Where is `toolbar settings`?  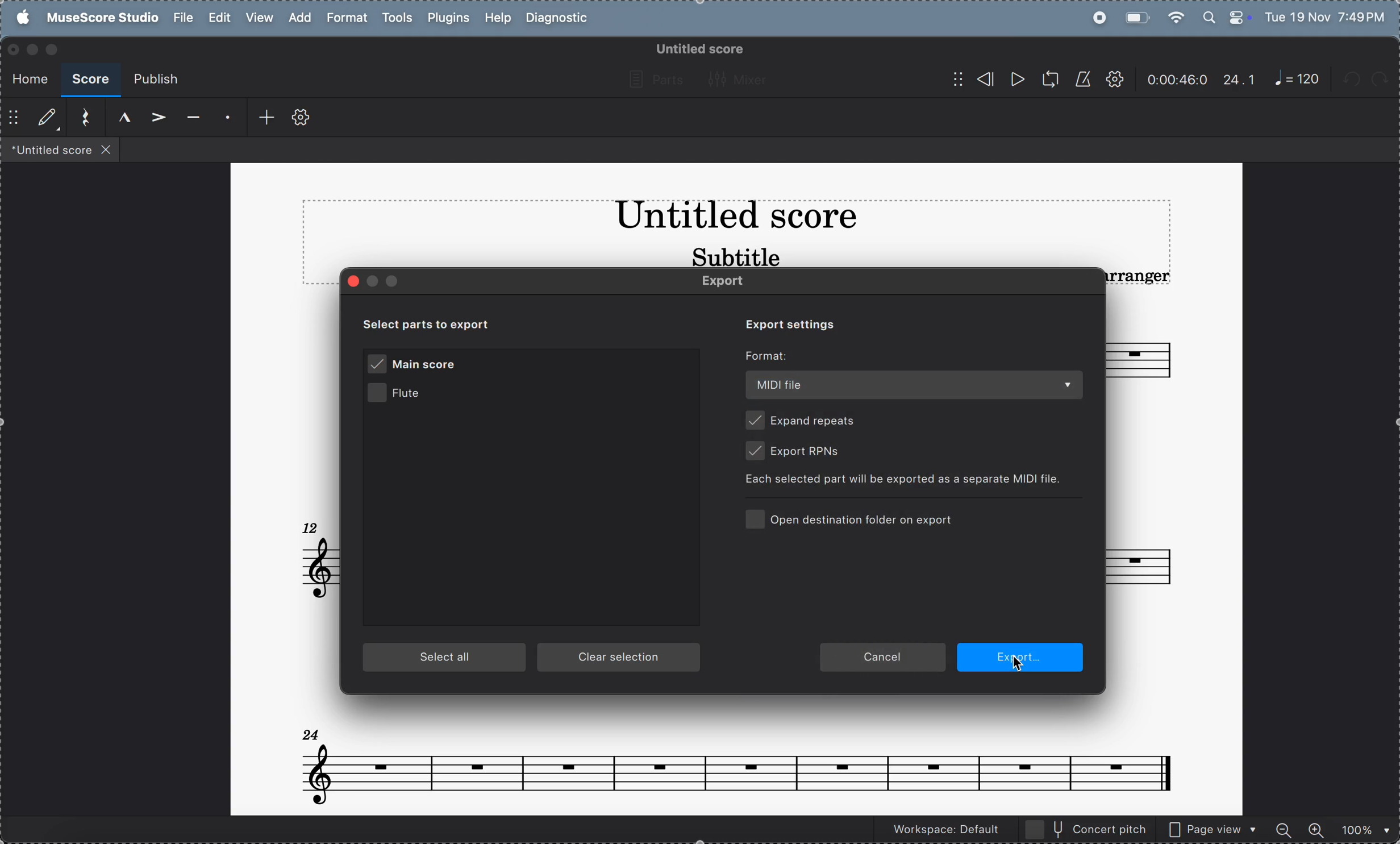
toolbar settings is located at coordinates (301, 118).